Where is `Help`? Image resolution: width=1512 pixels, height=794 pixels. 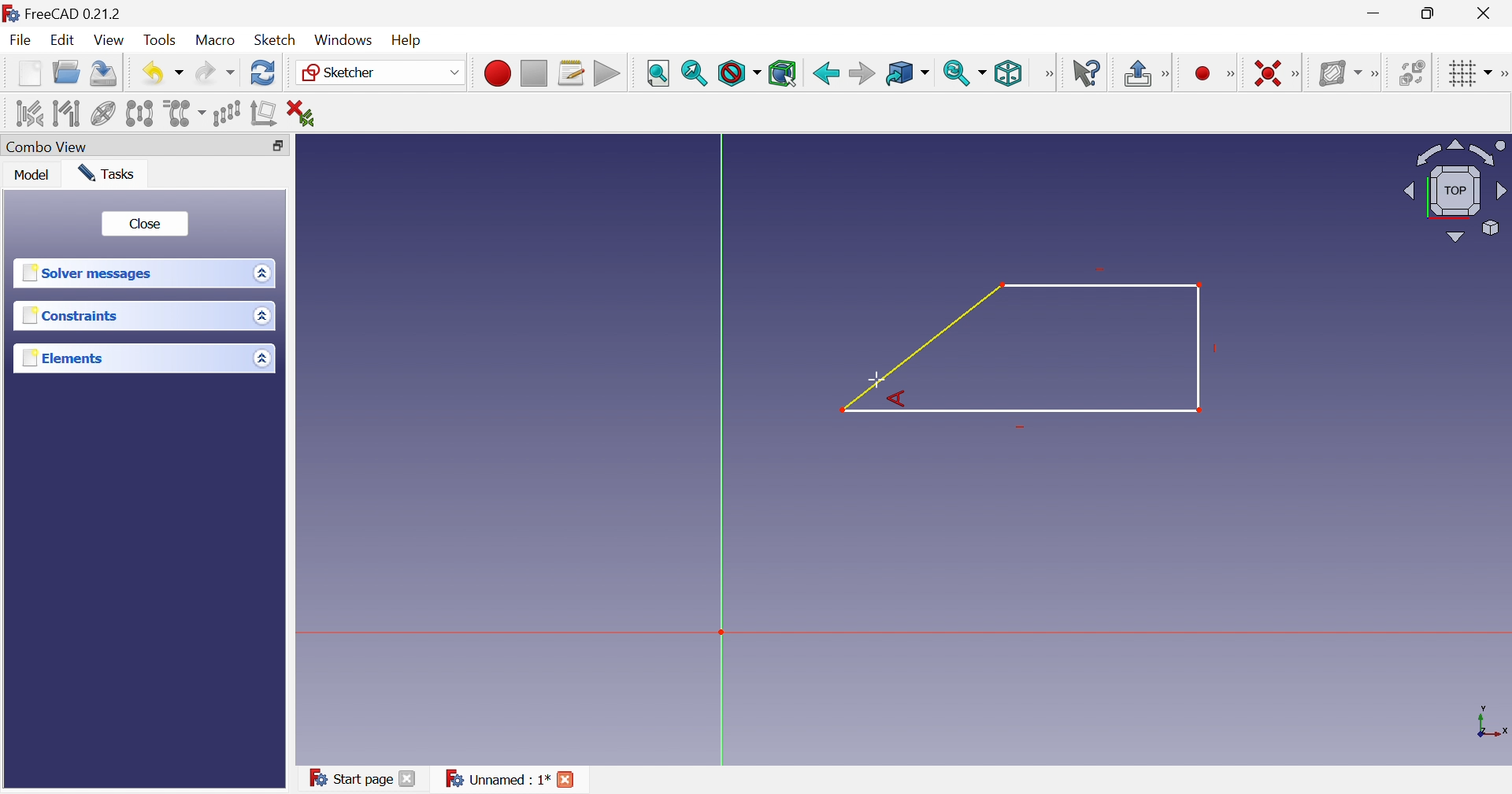 Help is located at coordinates (413, 39).